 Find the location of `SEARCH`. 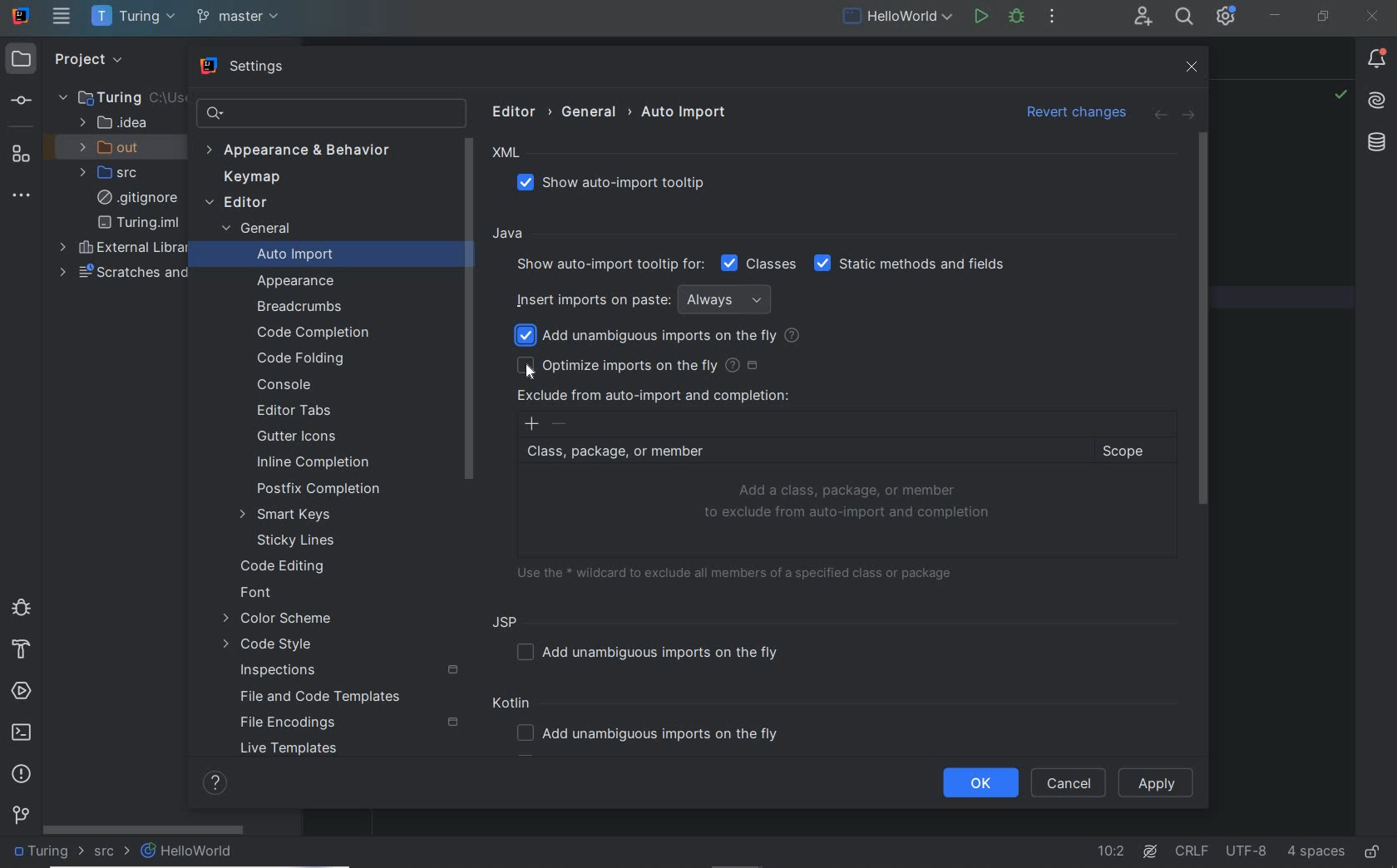

SEARCH is located at coordinates (1182, 16).